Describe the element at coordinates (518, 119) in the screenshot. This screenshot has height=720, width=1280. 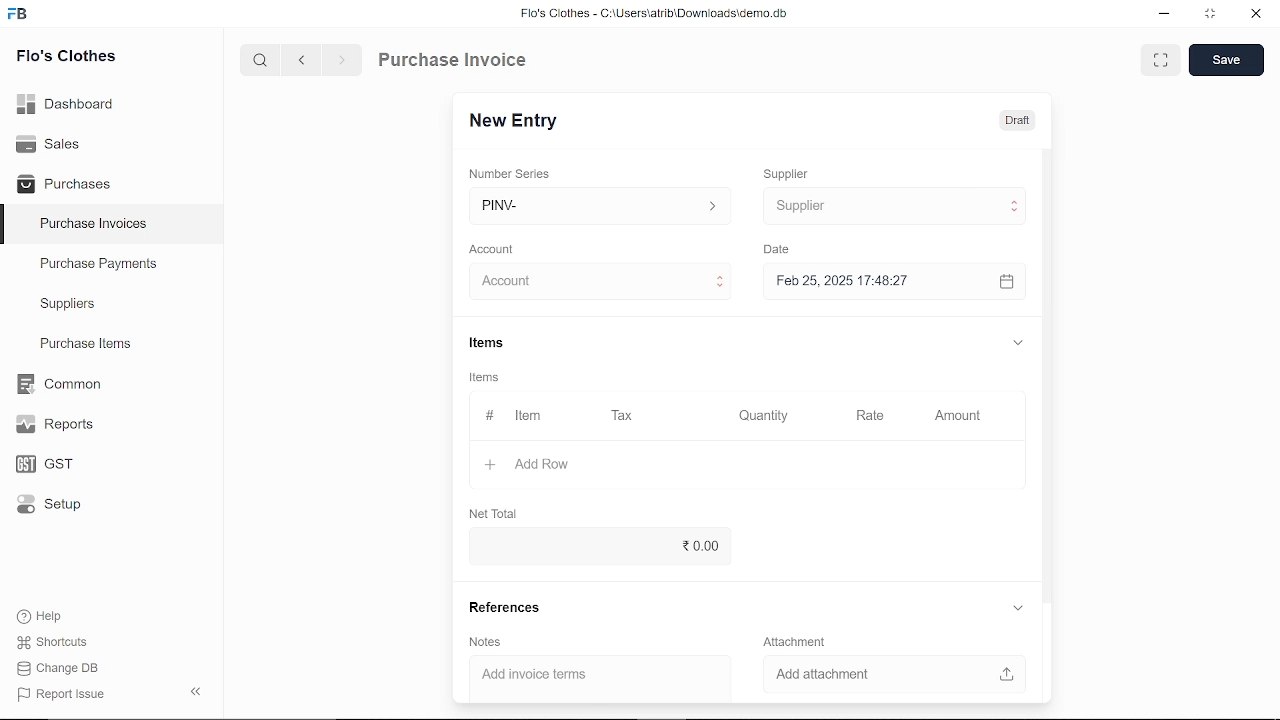
I see `New Entry` at that location.